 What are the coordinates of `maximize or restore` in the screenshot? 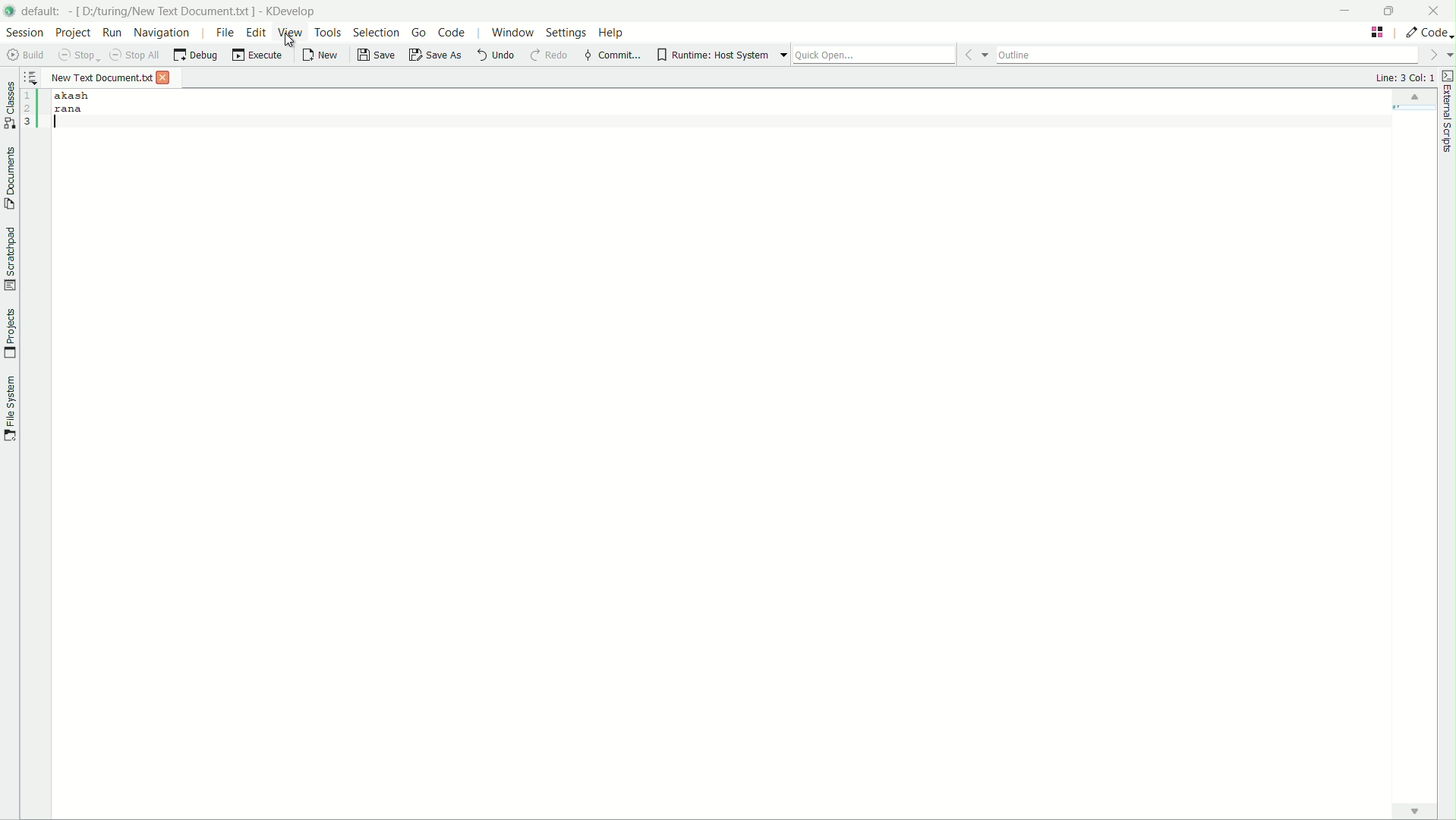 It's located at (1396, 11).